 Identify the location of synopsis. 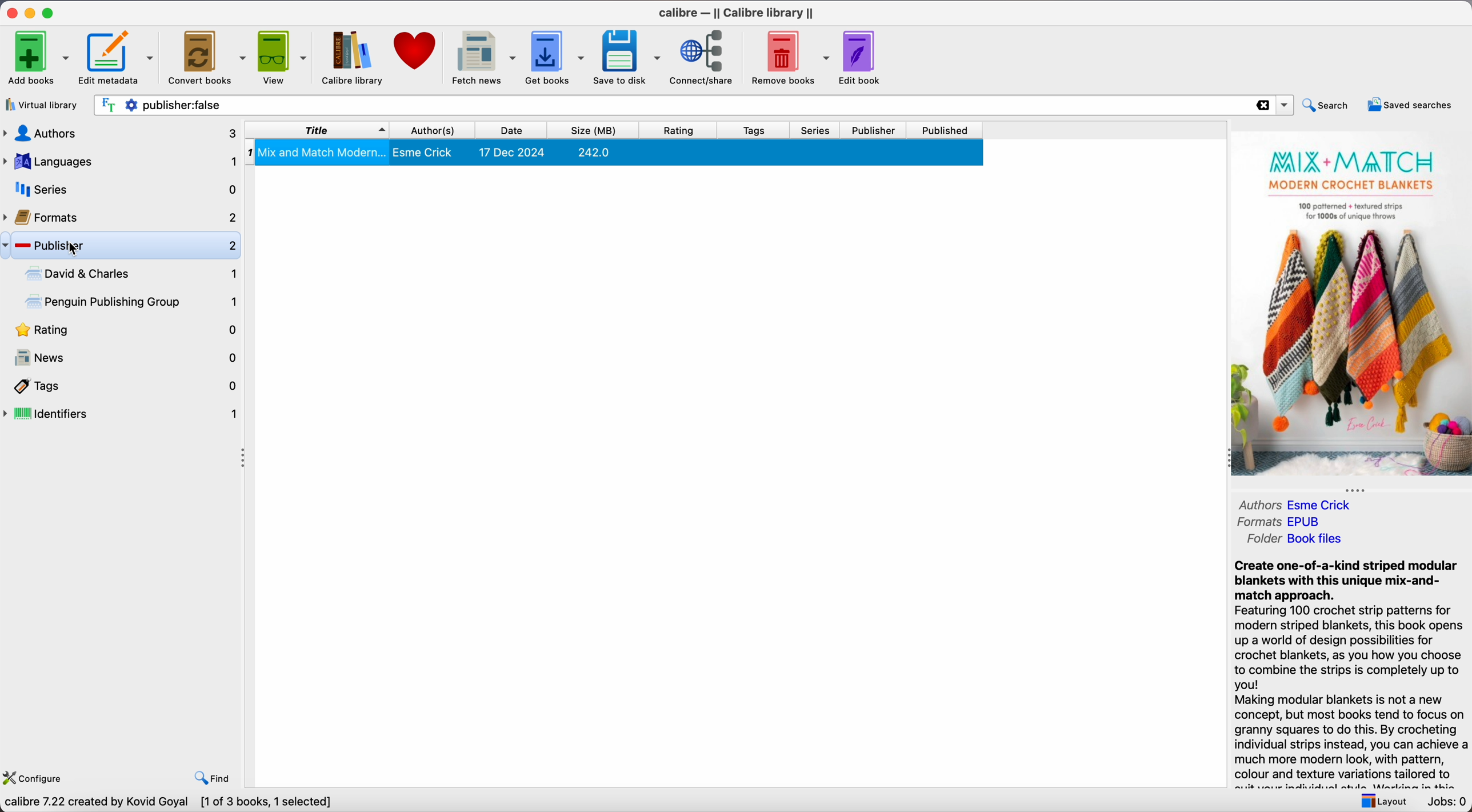
(1350, 665).